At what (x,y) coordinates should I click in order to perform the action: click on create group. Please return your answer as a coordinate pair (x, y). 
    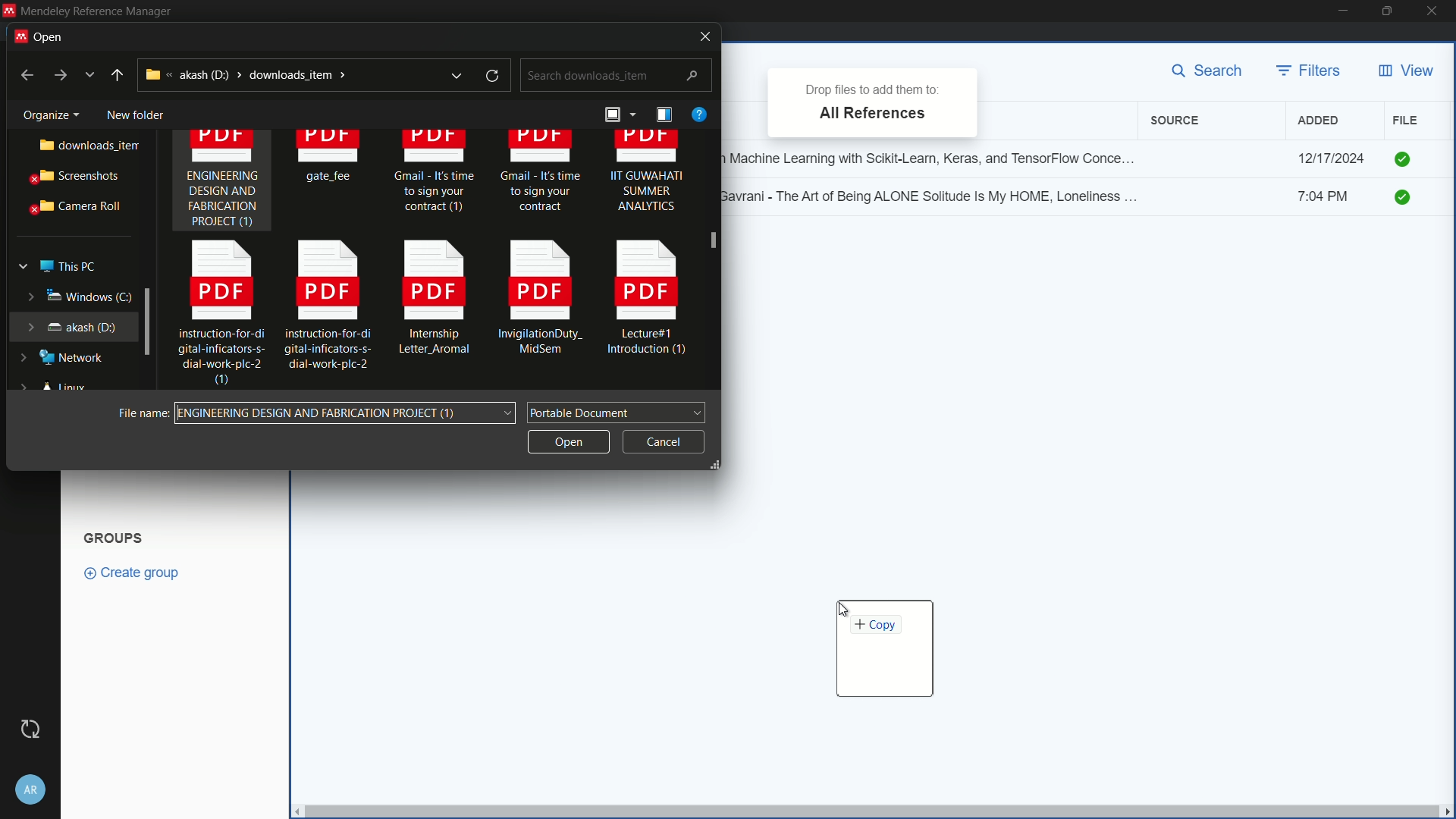
    Looking at the image, I should click on (140, 572).